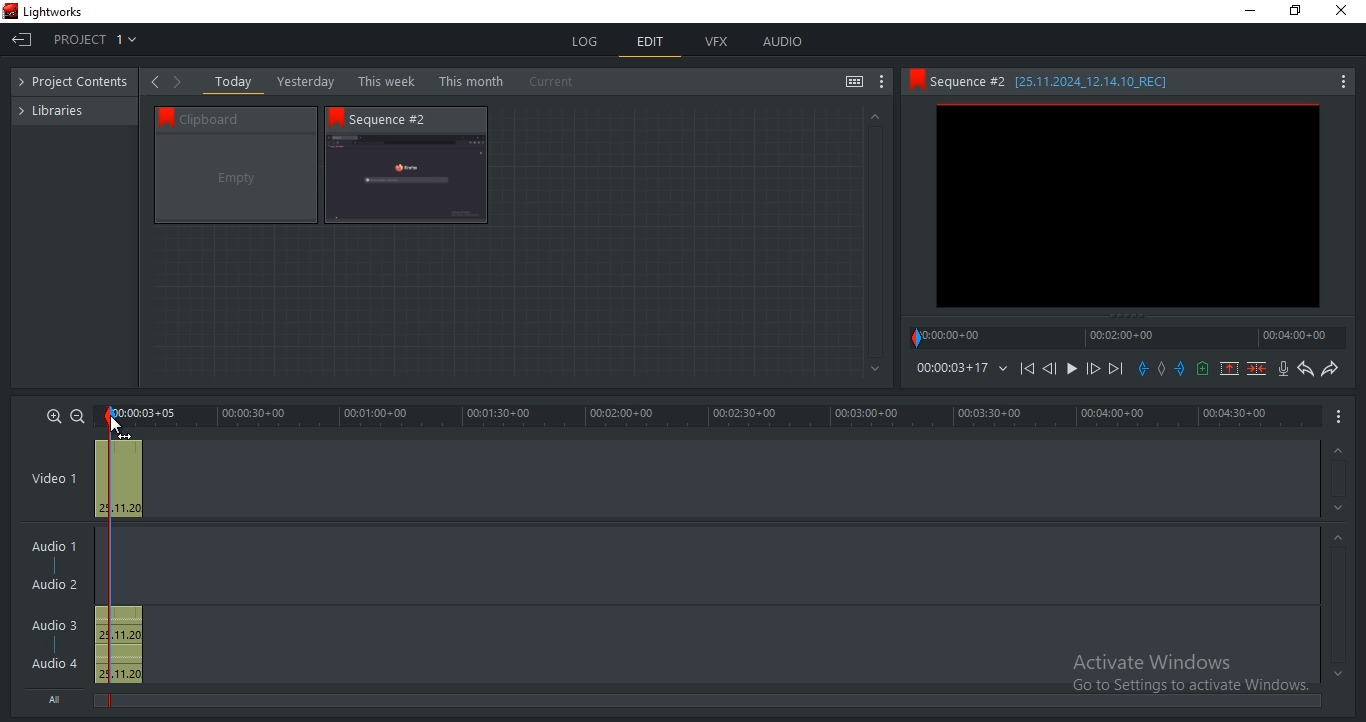 The image size is (1366, 722). Describe the element at coordinates (710, 416) in the screenshot. I see `timeline` at that location.